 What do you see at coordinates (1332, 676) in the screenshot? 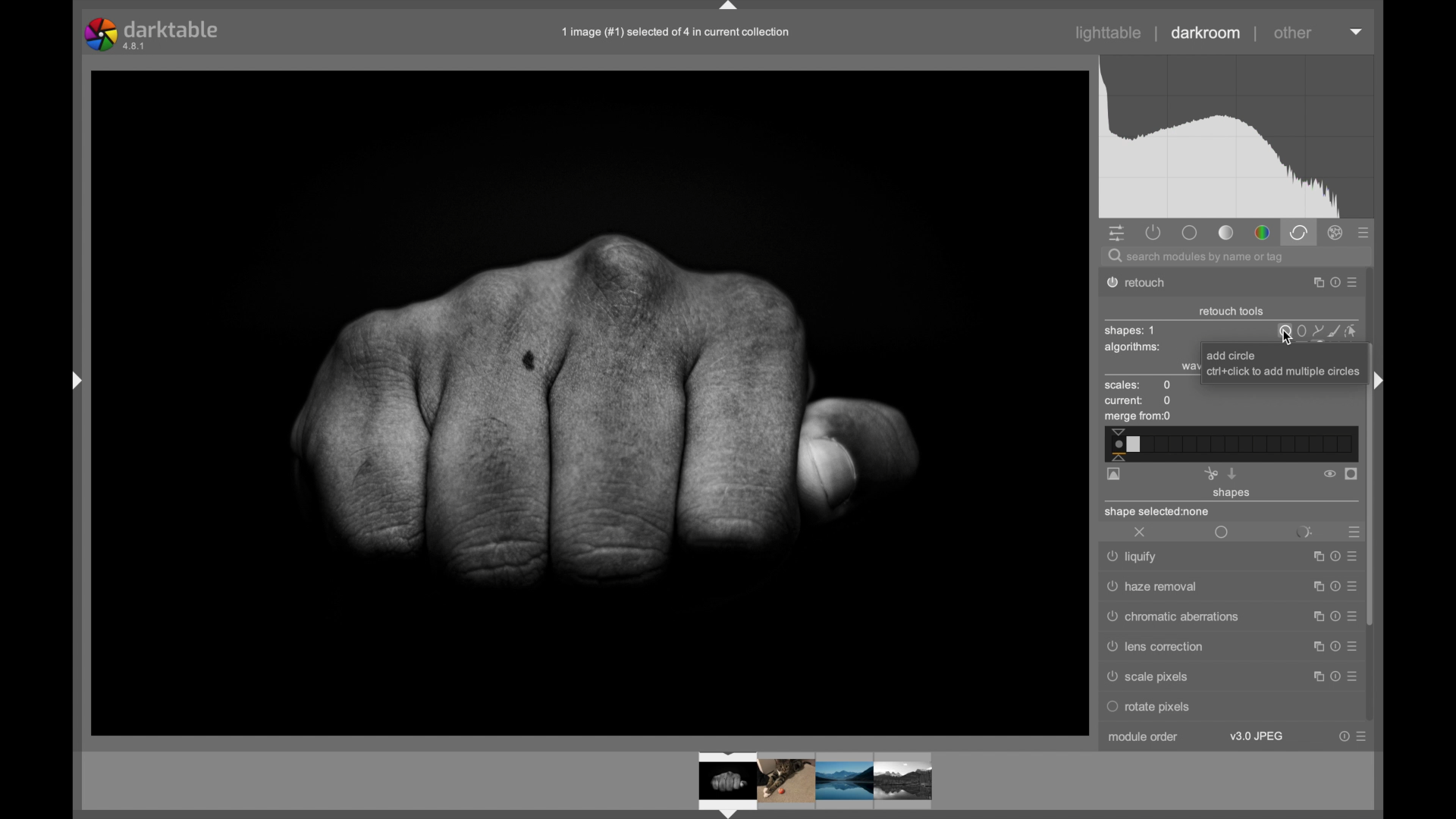
I see `help` at bounding box center [1332, 676].